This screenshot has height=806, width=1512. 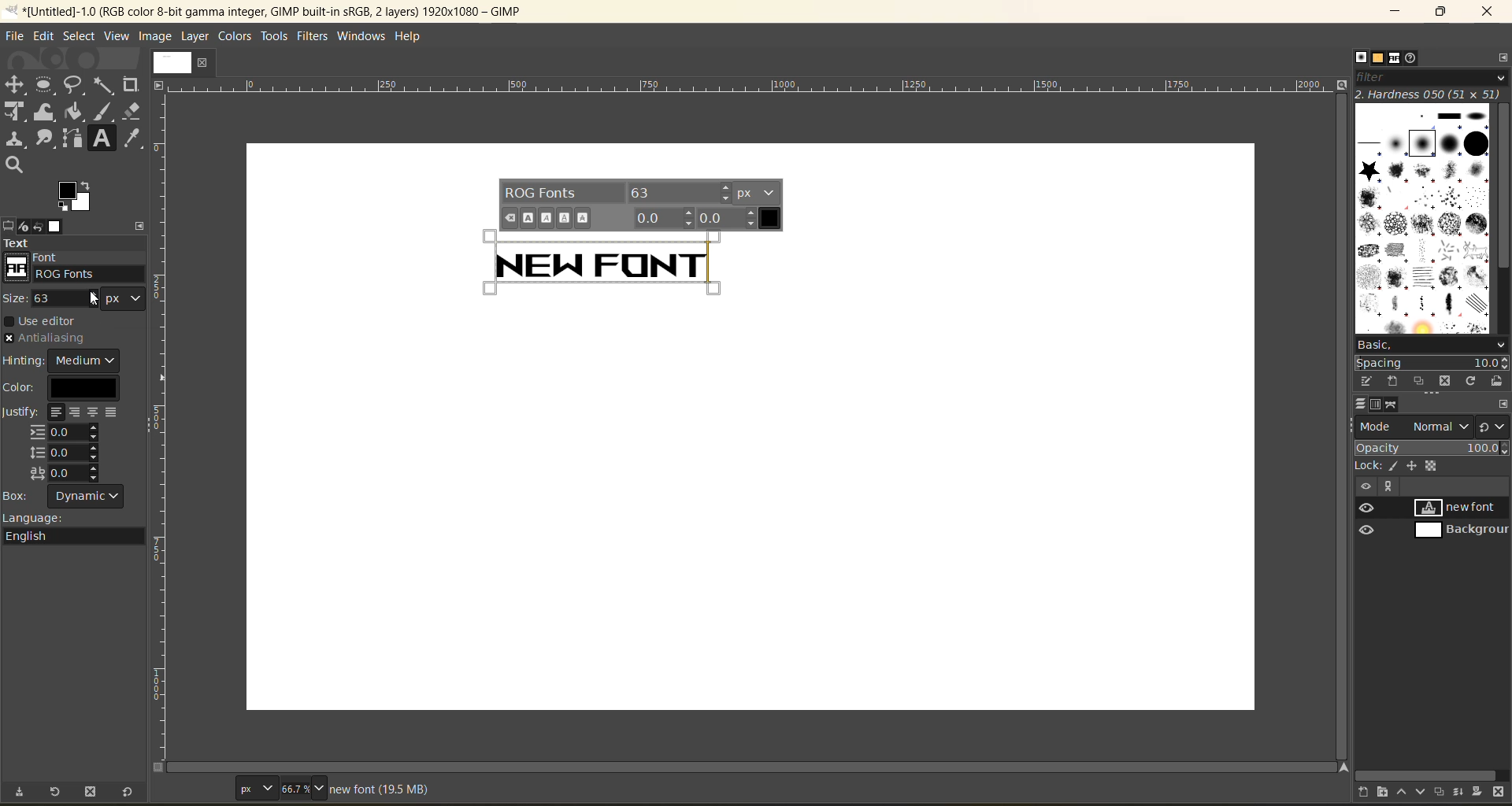 I want to click on basic, so click(x=1432, y=346).